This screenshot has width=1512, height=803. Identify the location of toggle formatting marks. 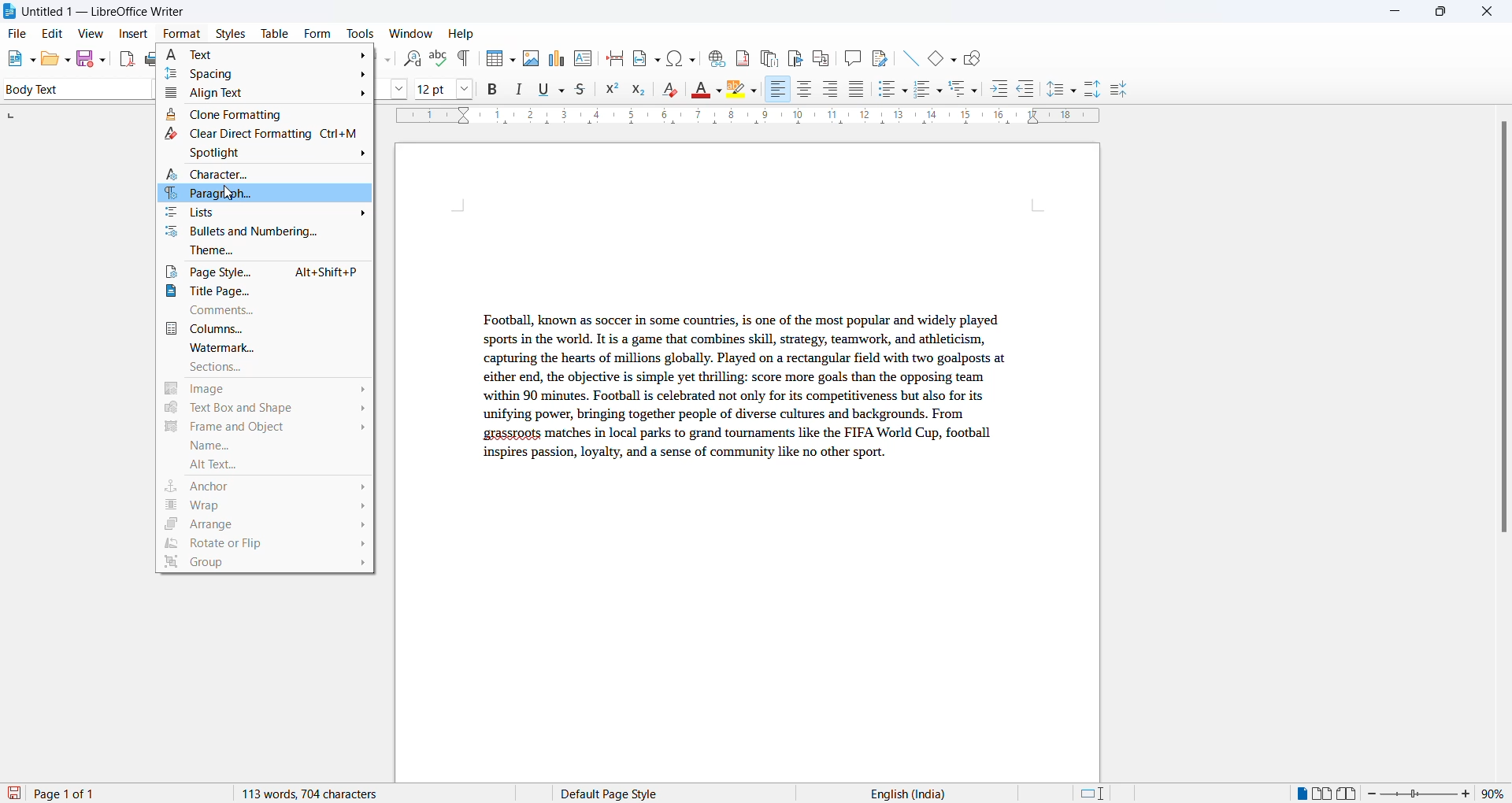
(465, 58).